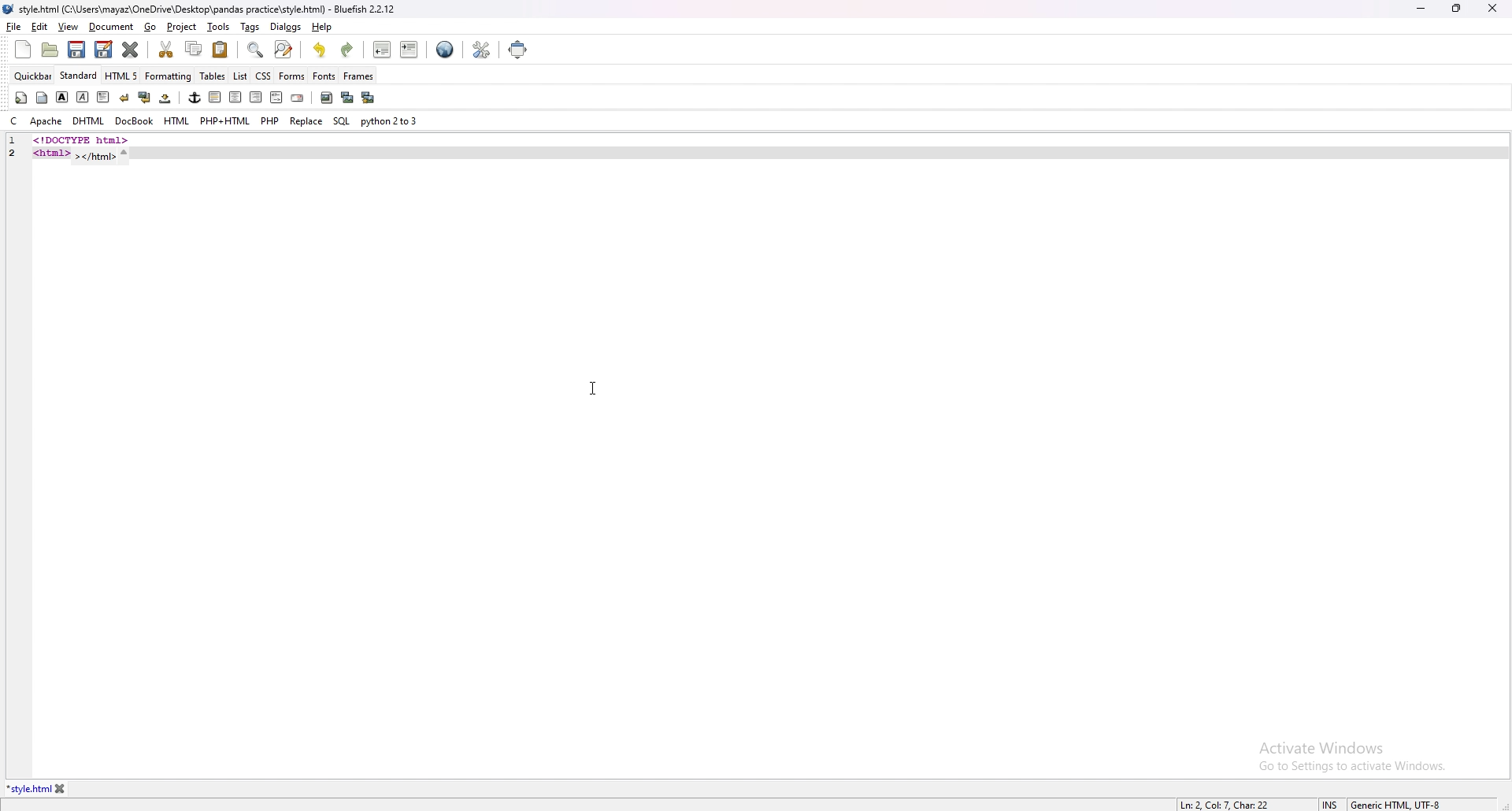 The image size is (1512, 811). Describe the element at coordinates (213, 97) in the screenshot. I see `left indent` at that location.